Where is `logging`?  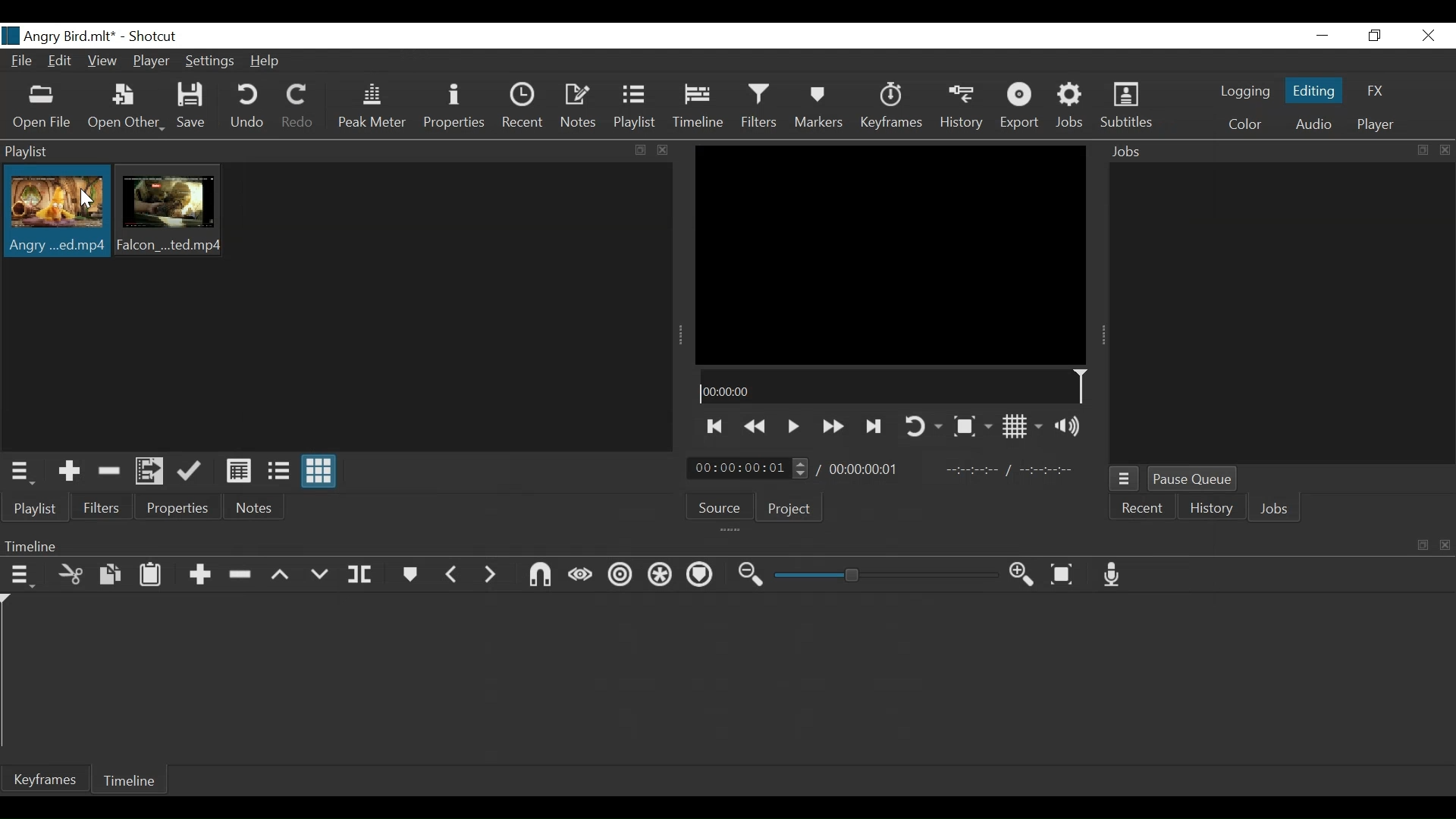
logging is located at coordinates (1246, 91).